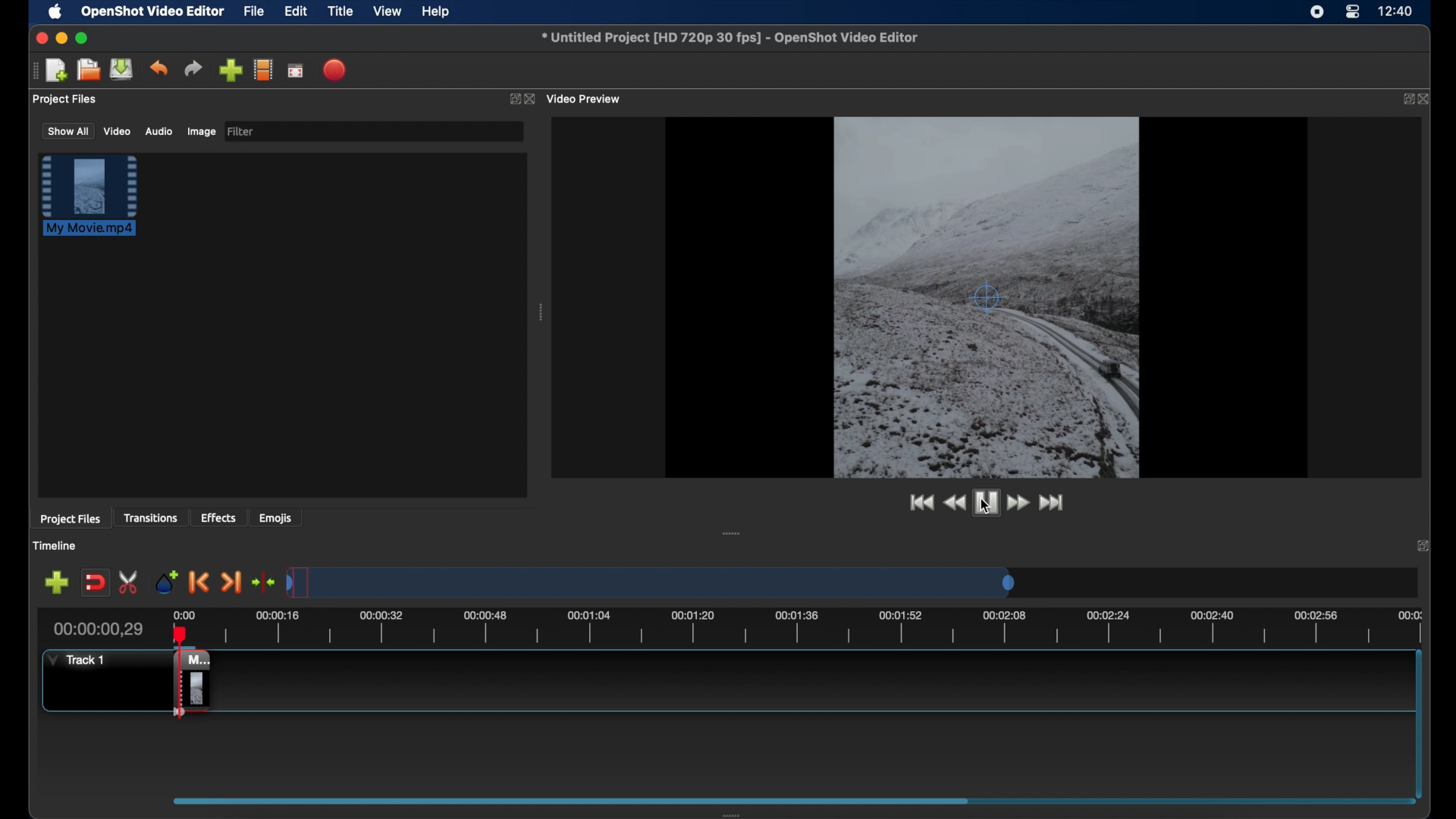  I want to click on timeline scale, so click(652, 584).